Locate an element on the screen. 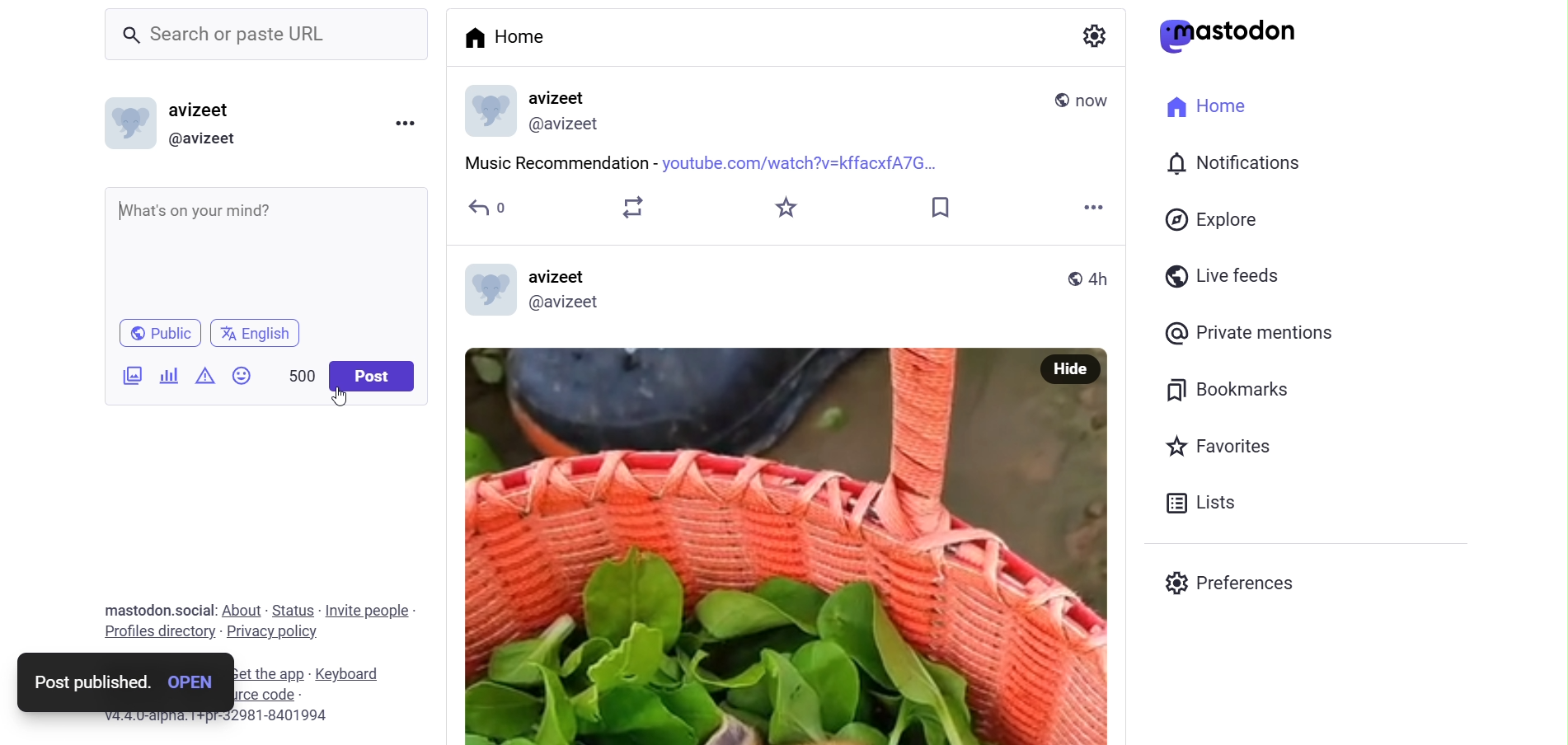 The image size is (1568, 745). social is located at coordinates (195, 609).